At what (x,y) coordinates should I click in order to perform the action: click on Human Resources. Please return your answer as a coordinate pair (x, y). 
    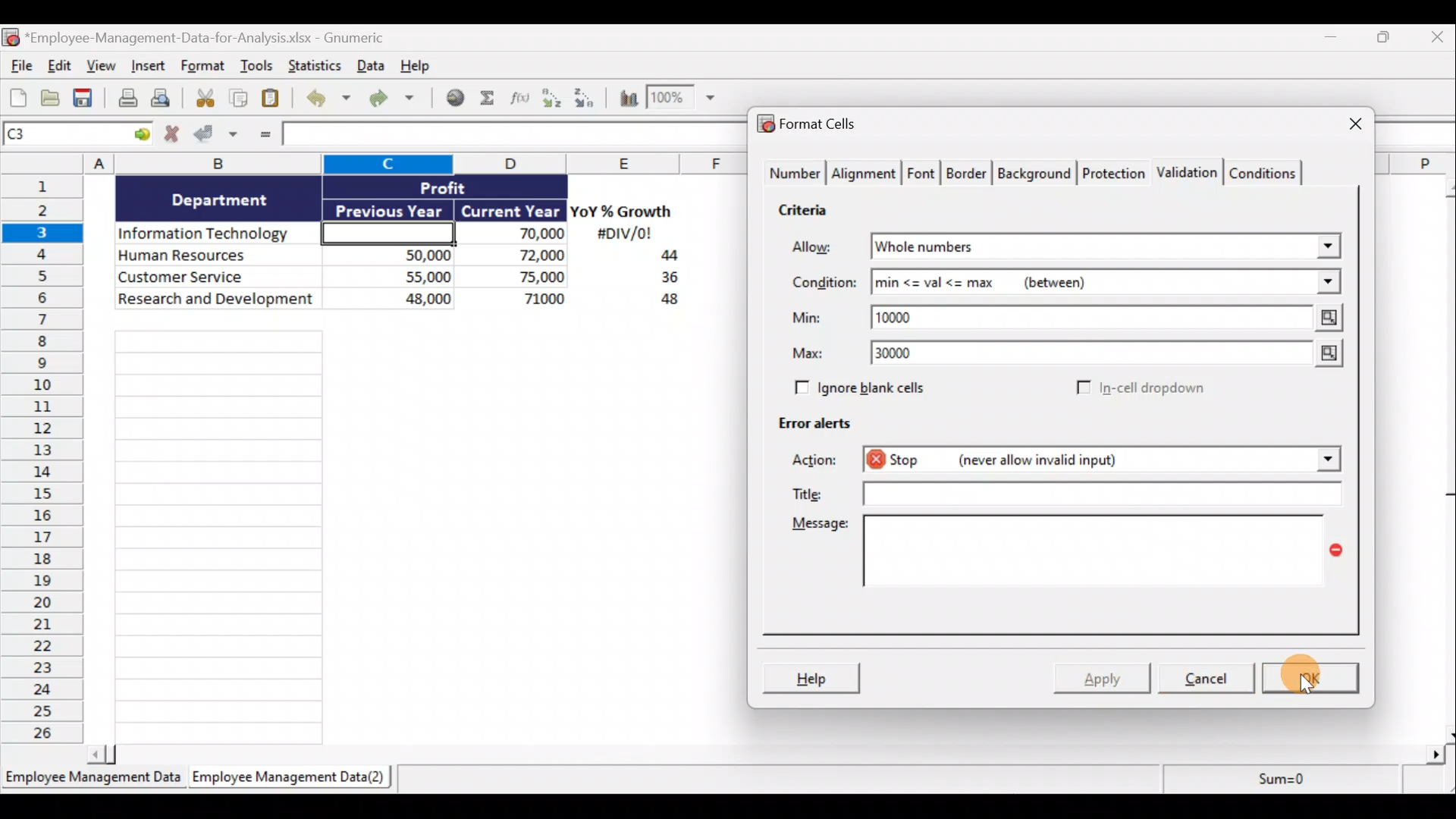
    Looking at the image, I should click on (215, 256).